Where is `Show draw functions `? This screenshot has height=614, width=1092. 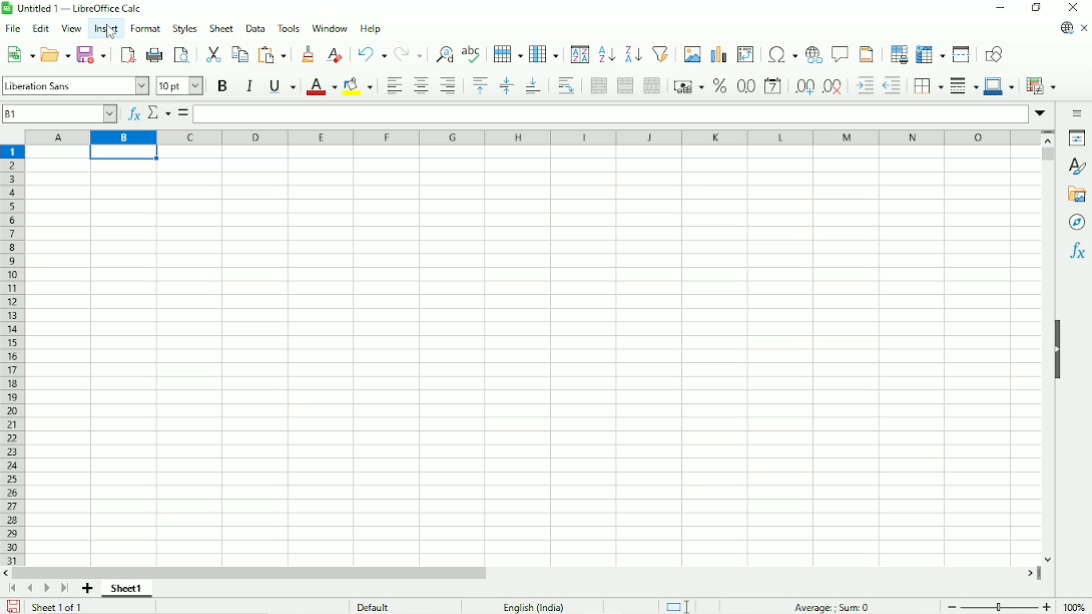 Show draw functions  is located at coordinates (995, 54).